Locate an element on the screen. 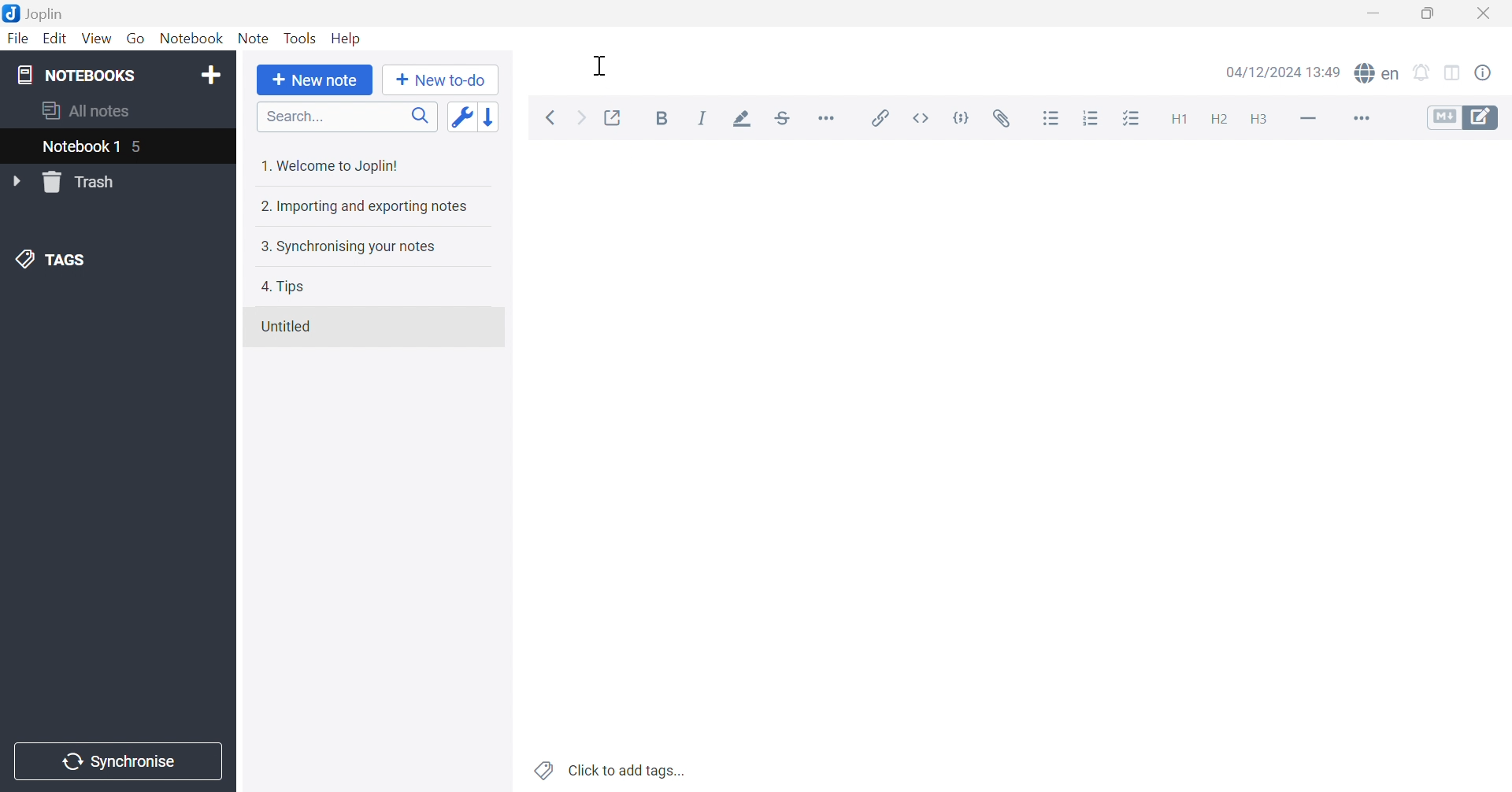  Joplin is located at coordinates (36, 13).